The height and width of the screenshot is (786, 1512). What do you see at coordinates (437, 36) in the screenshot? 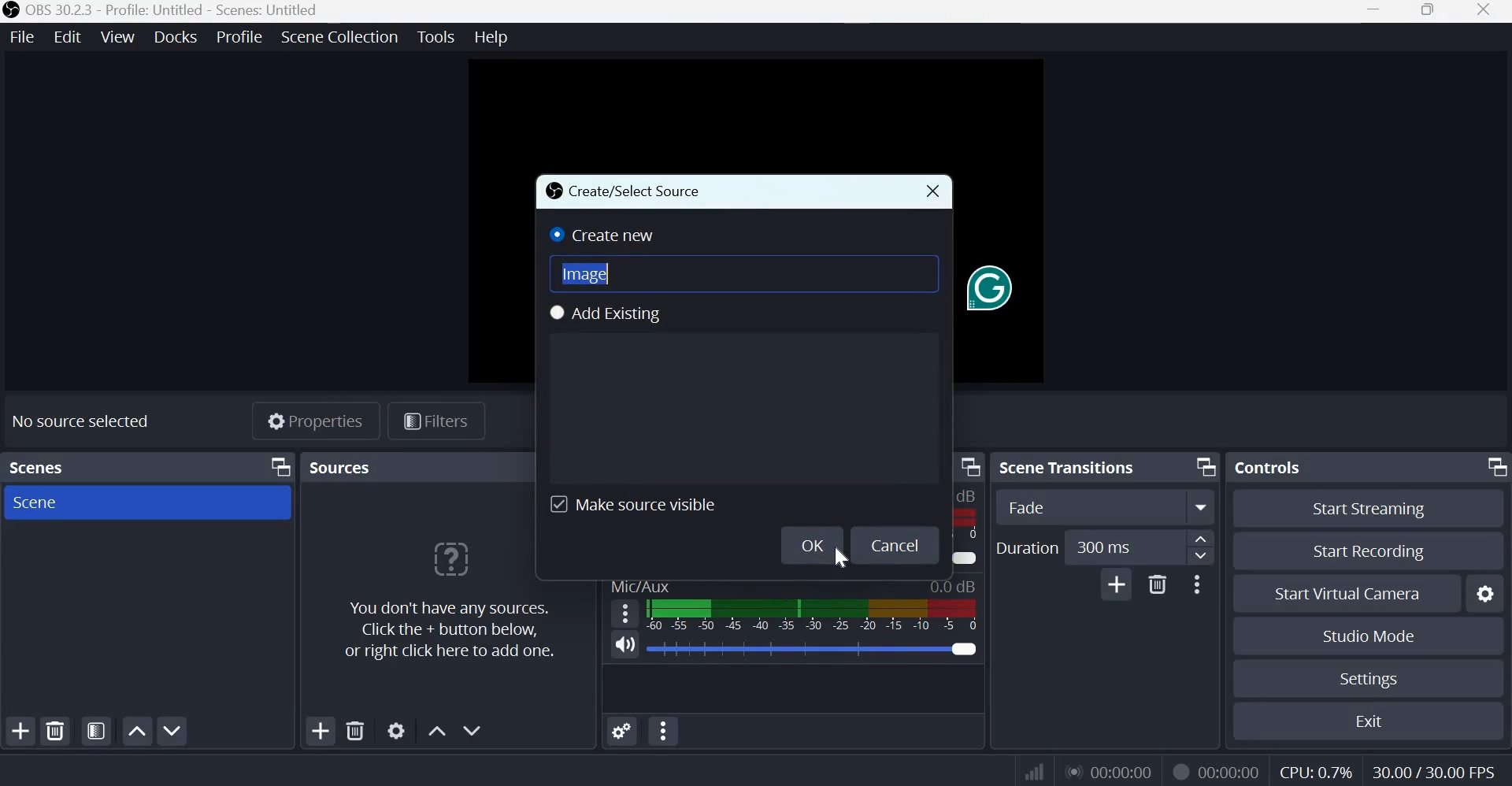
I see `tools` at bounding box center [437, 36].